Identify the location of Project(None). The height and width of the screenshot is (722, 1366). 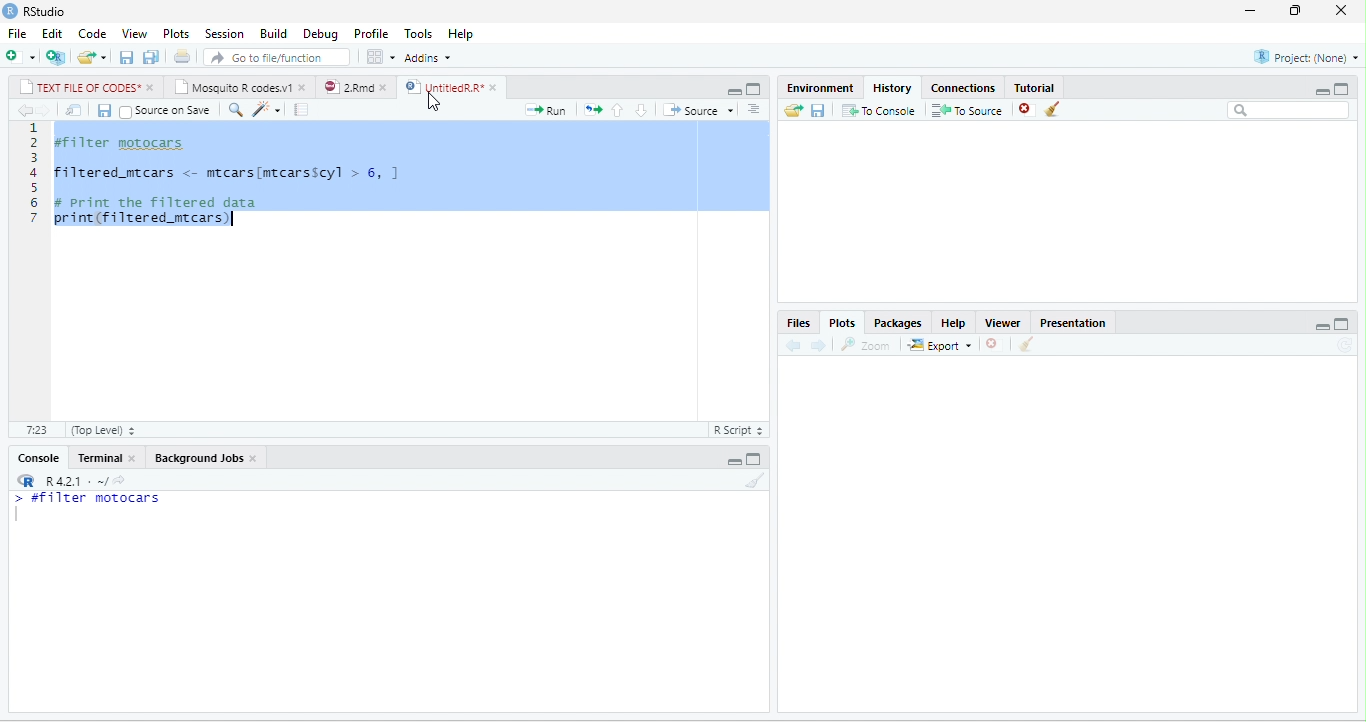
(1307, 57).